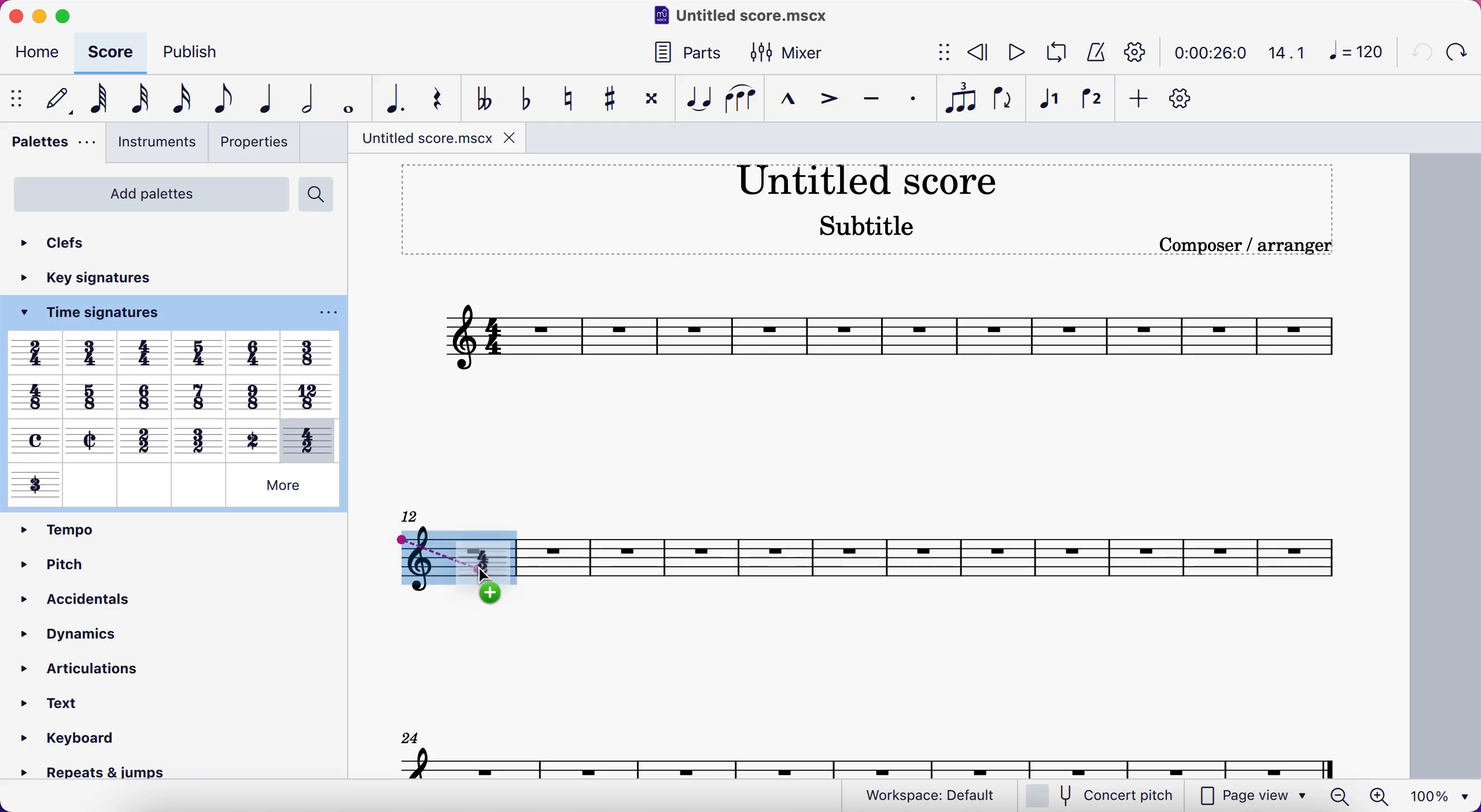 The width and height of the screenshot is (1481, 812). What do you see at coordinates (36, 485) in the screenshot?
I see `` at bounding box center [36, 485].